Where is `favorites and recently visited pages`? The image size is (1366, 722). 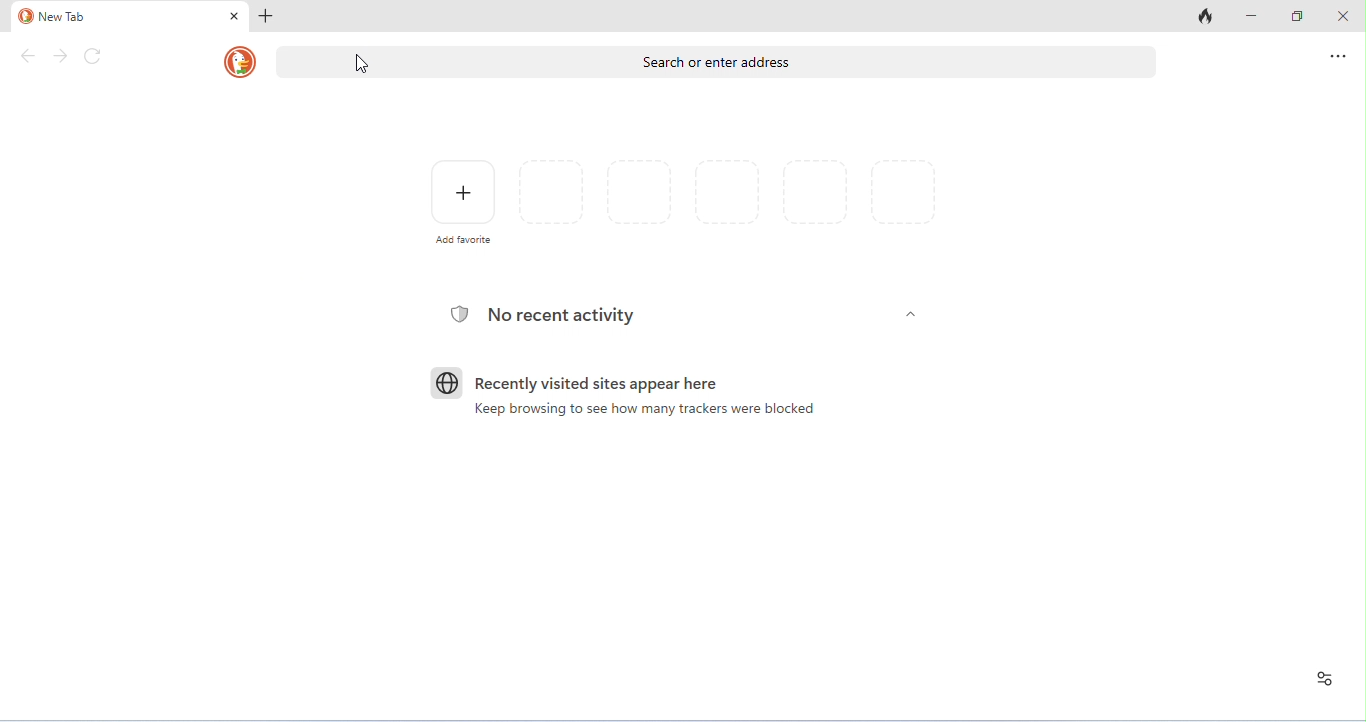 favorites and recently visited pages is located at coordinates (729, 190).